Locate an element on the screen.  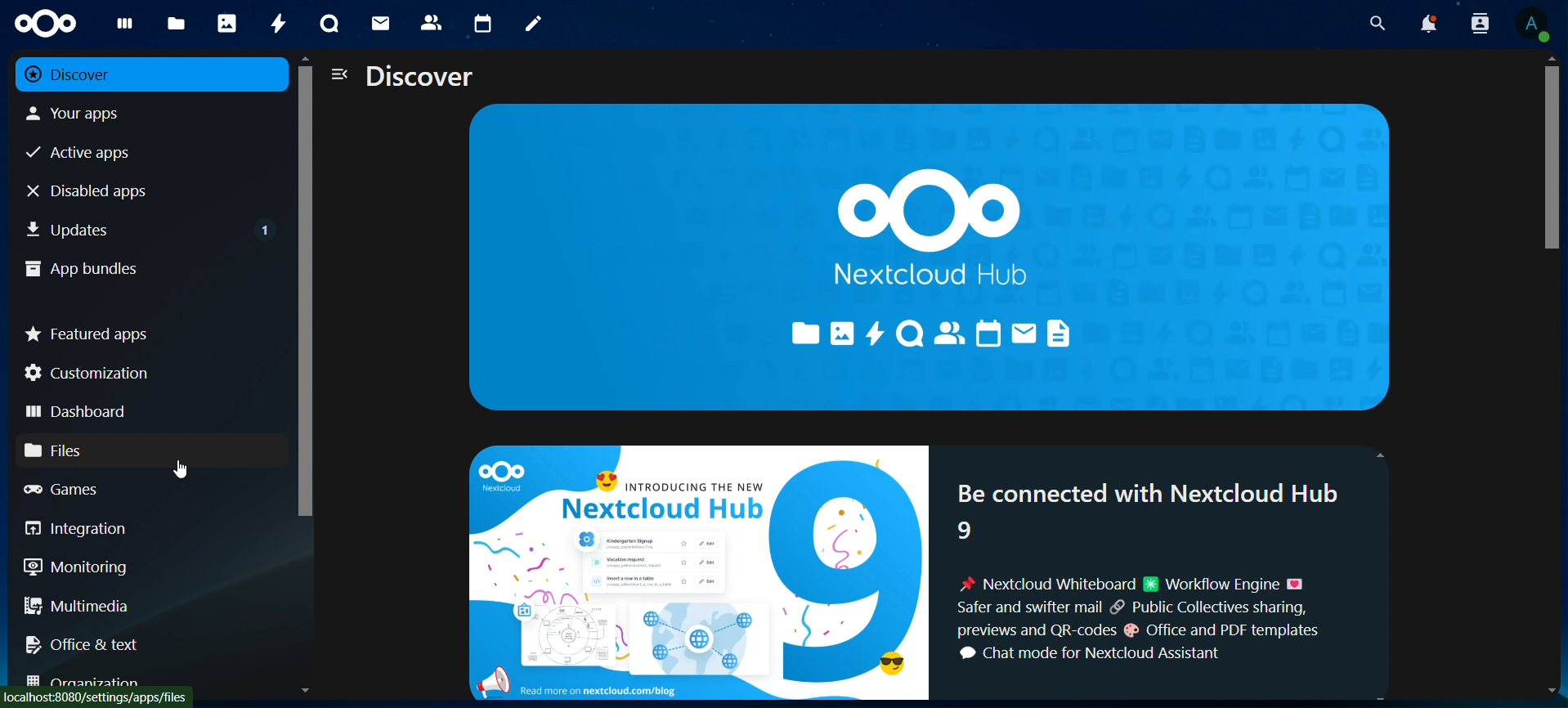
customization is located at coordinates (91, 373).